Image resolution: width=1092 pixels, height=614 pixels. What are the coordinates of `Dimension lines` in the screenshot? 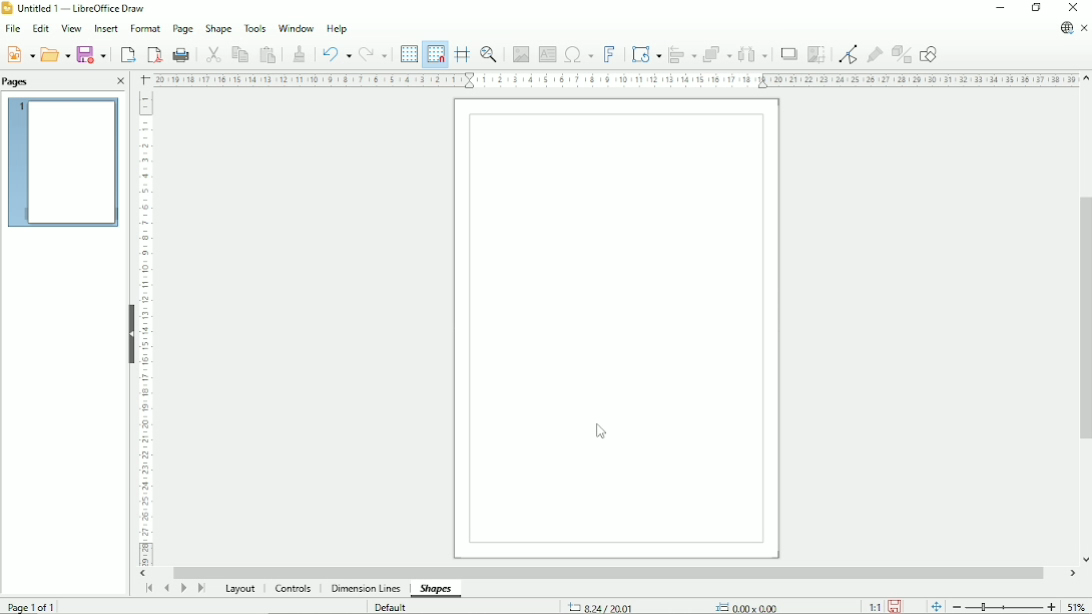 It's located at (367, 589).